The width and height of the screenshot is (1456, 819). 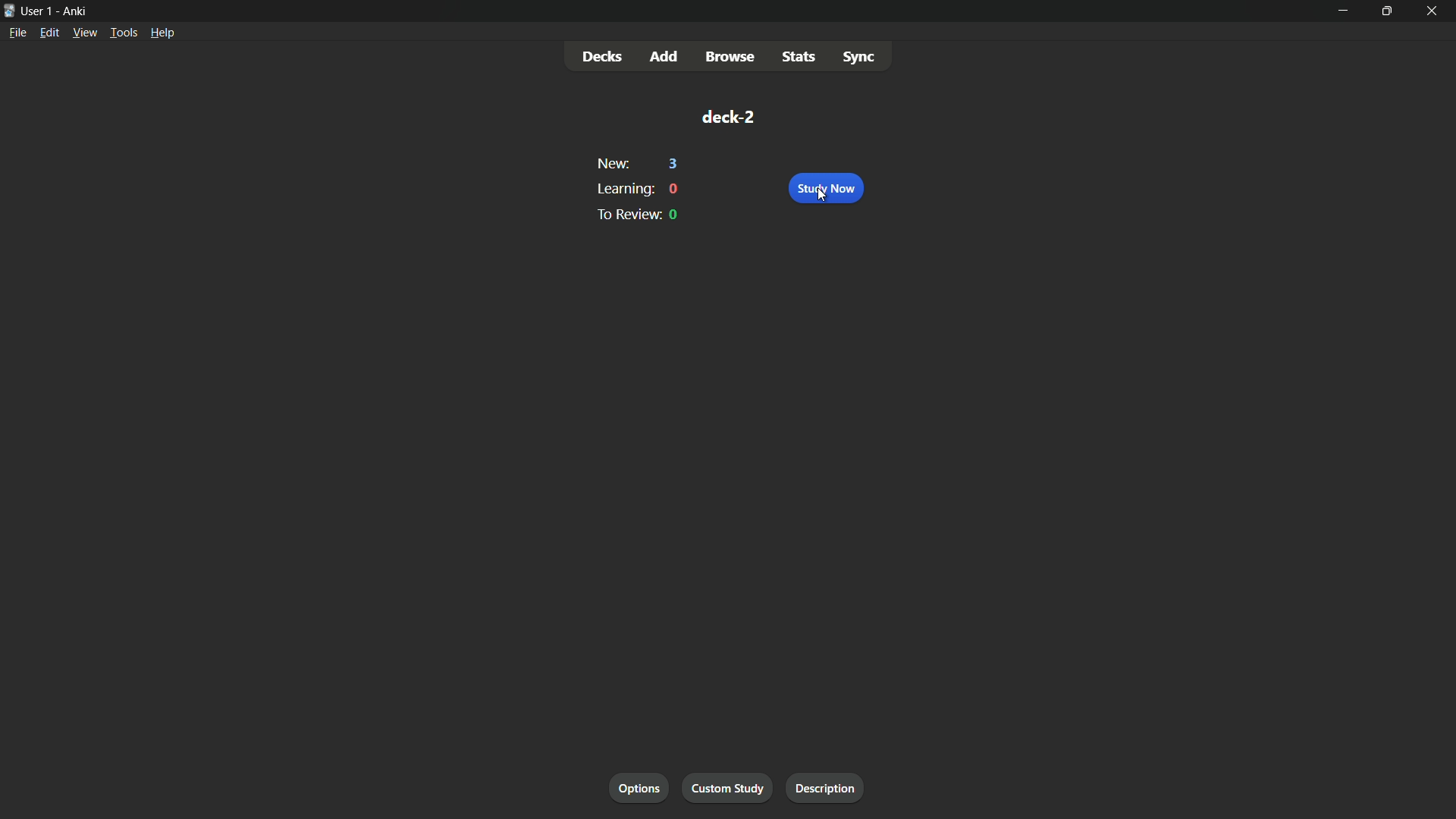 I want to click on browse, so click(x=731, y=57).